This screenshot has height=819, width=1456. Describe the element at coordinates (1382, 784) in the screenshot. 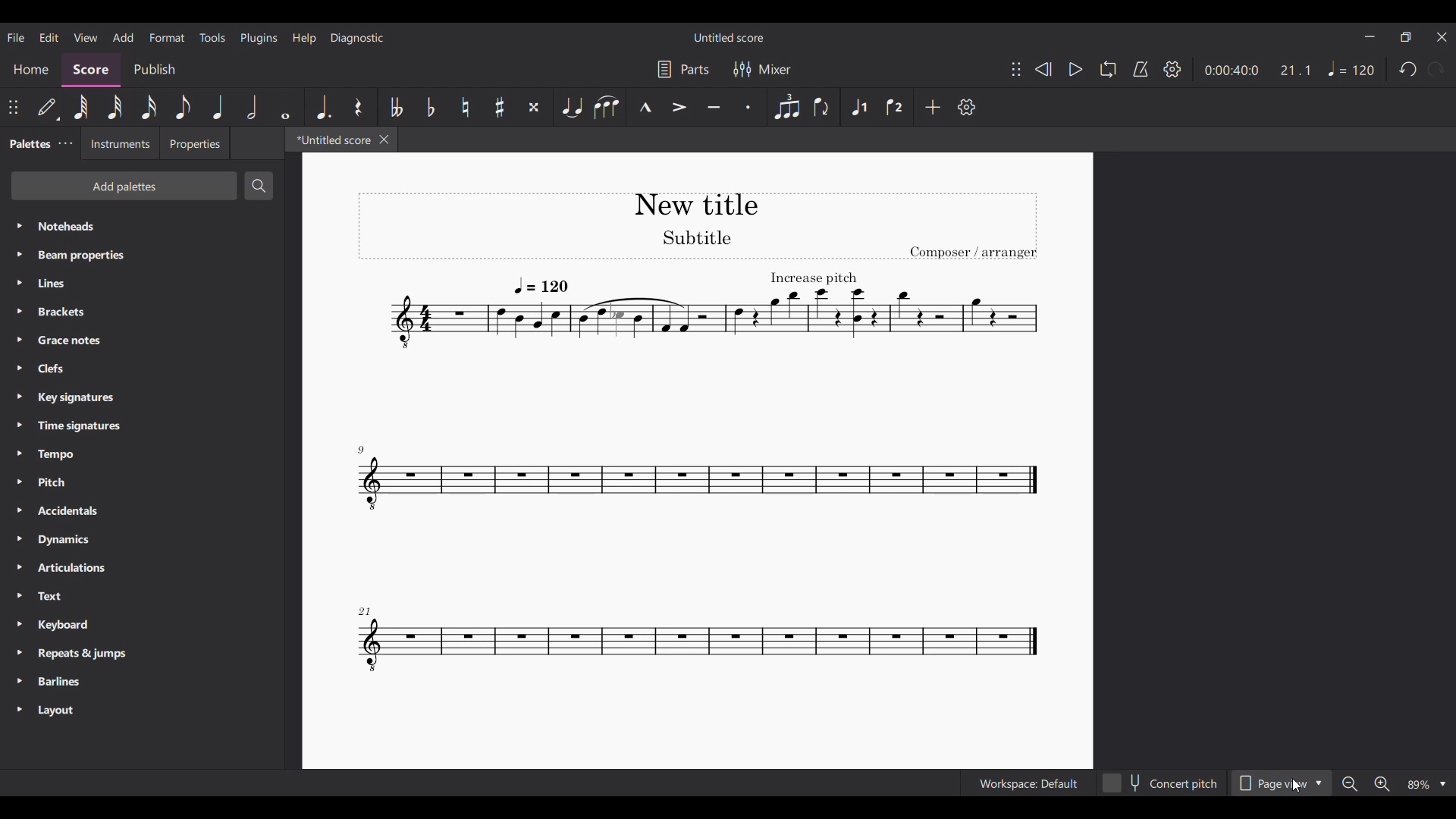

I see `Zoom in` at that location.